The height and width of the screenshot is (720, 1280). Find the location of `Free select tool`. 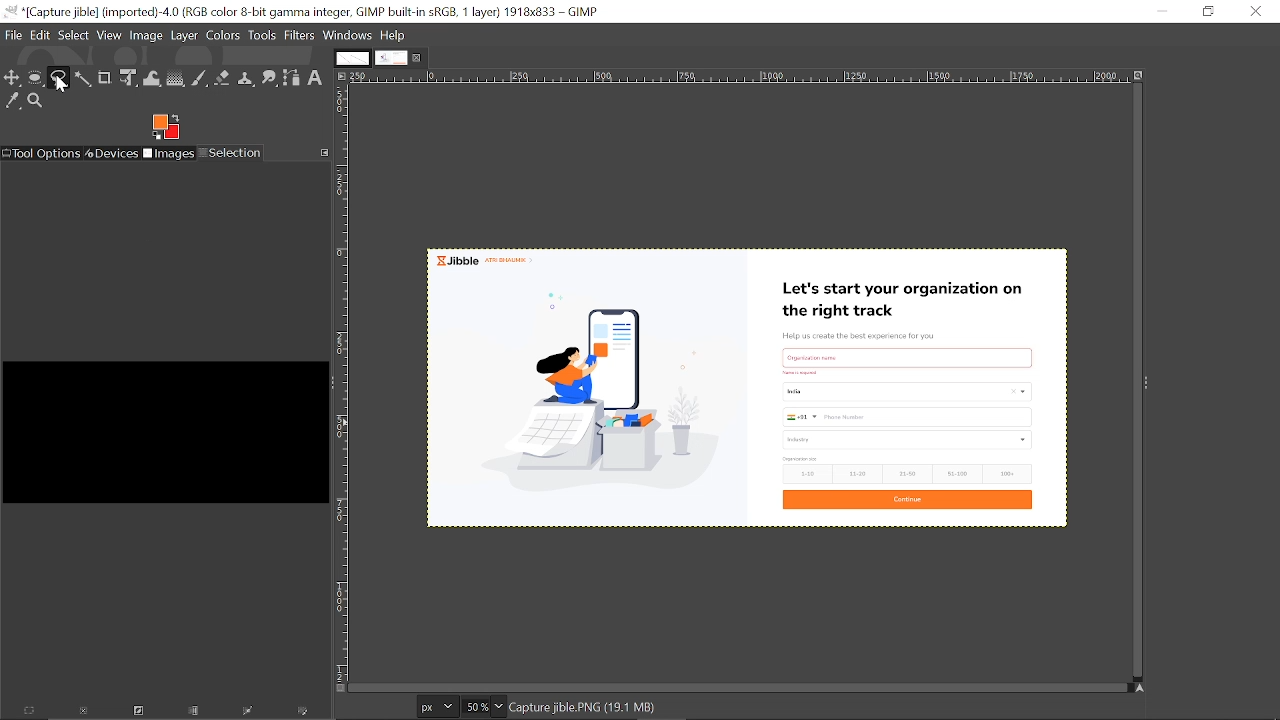

Free select tool is located at coordinates (59, 78).